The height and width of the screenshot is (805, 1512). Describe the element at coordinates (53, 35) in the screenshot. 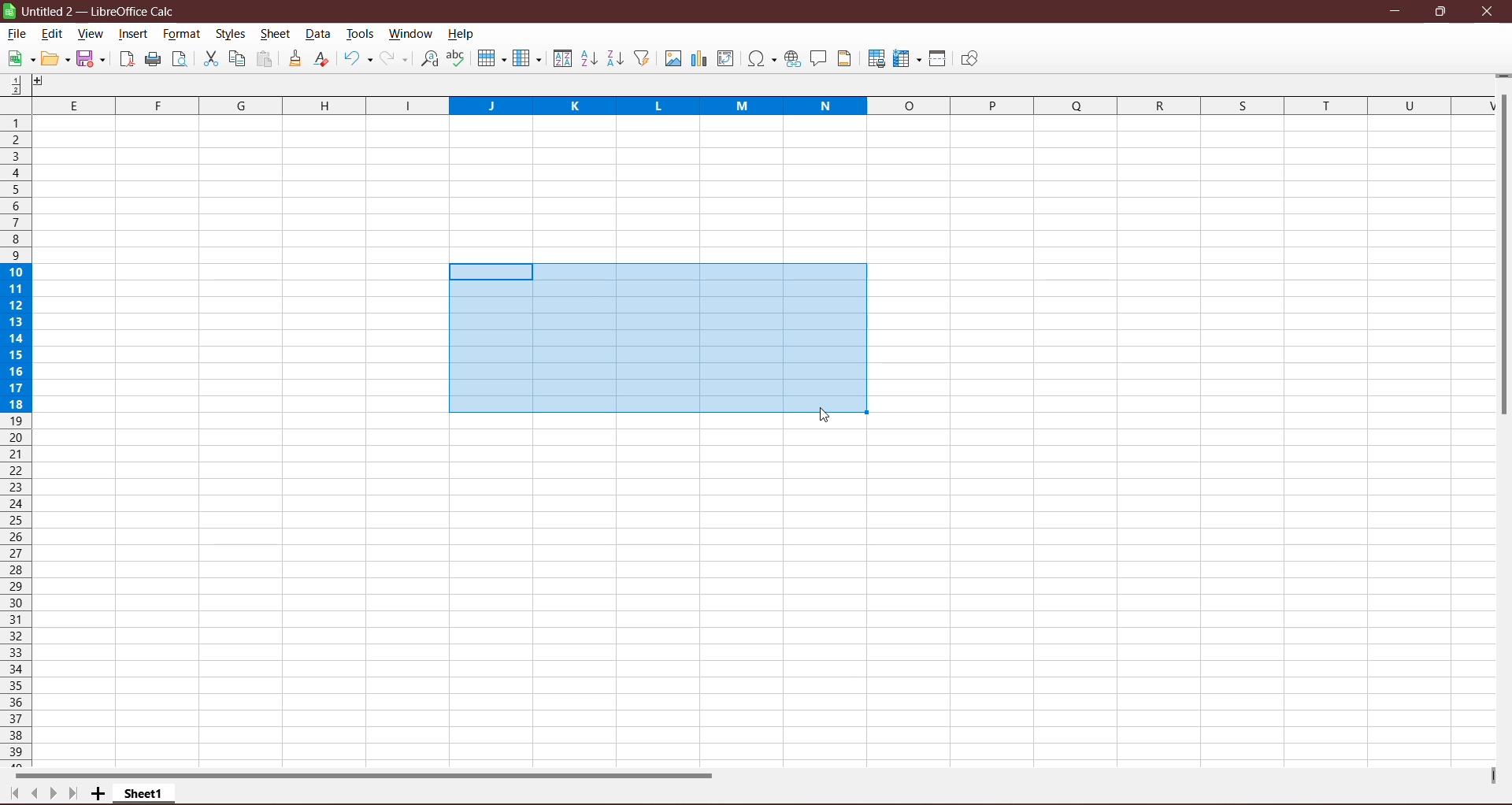

I see `Edit` at that location.